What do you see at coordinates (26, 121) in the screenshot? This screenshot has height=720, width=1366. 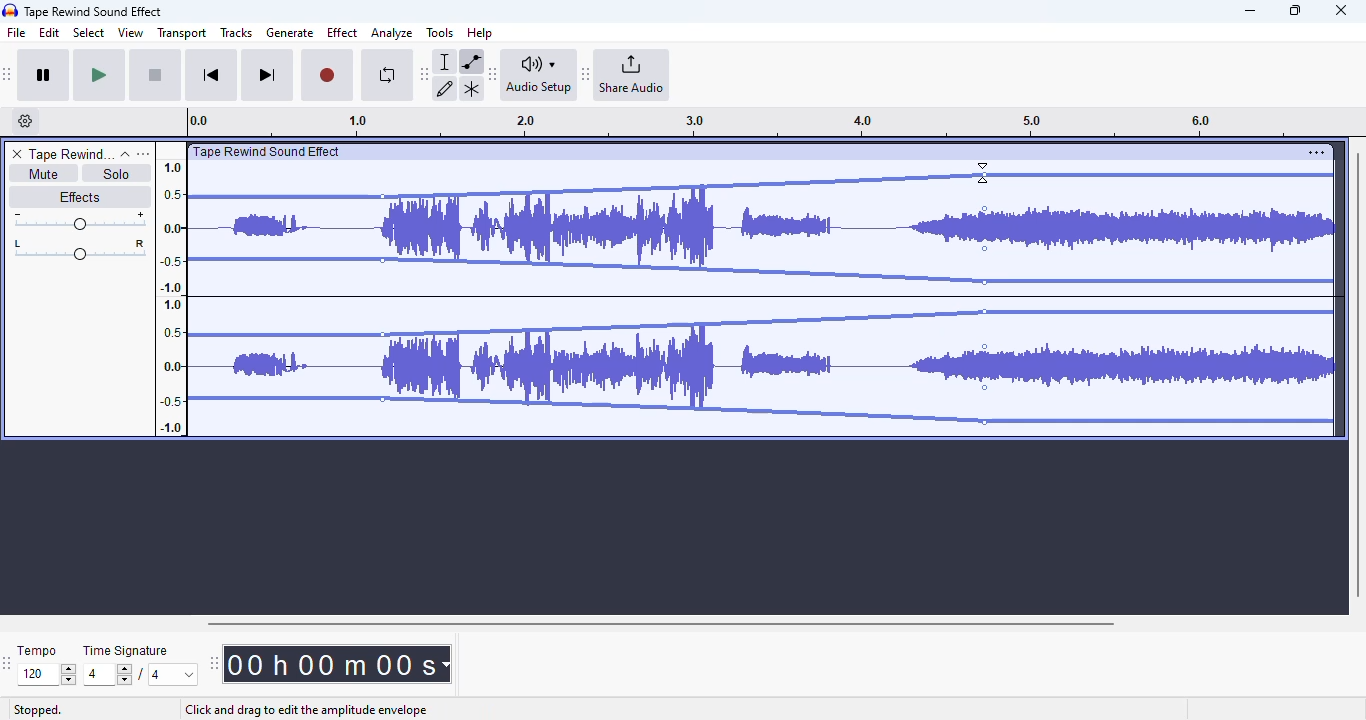 I see `timeline options` at bounding box center [26, 121].